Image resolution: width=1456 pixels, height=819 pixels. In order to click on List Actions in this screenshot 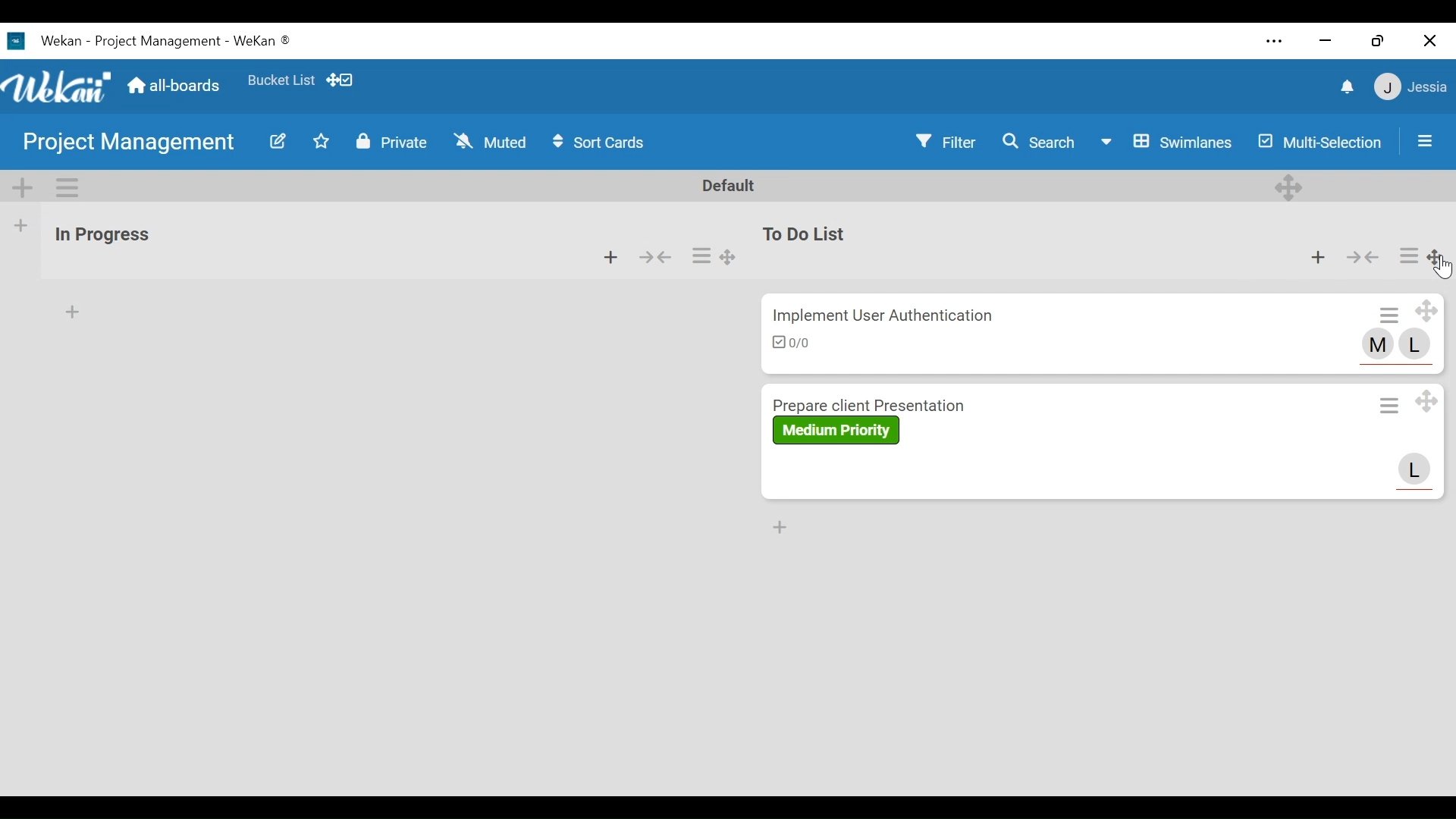, I will do `click(698, 255)`.